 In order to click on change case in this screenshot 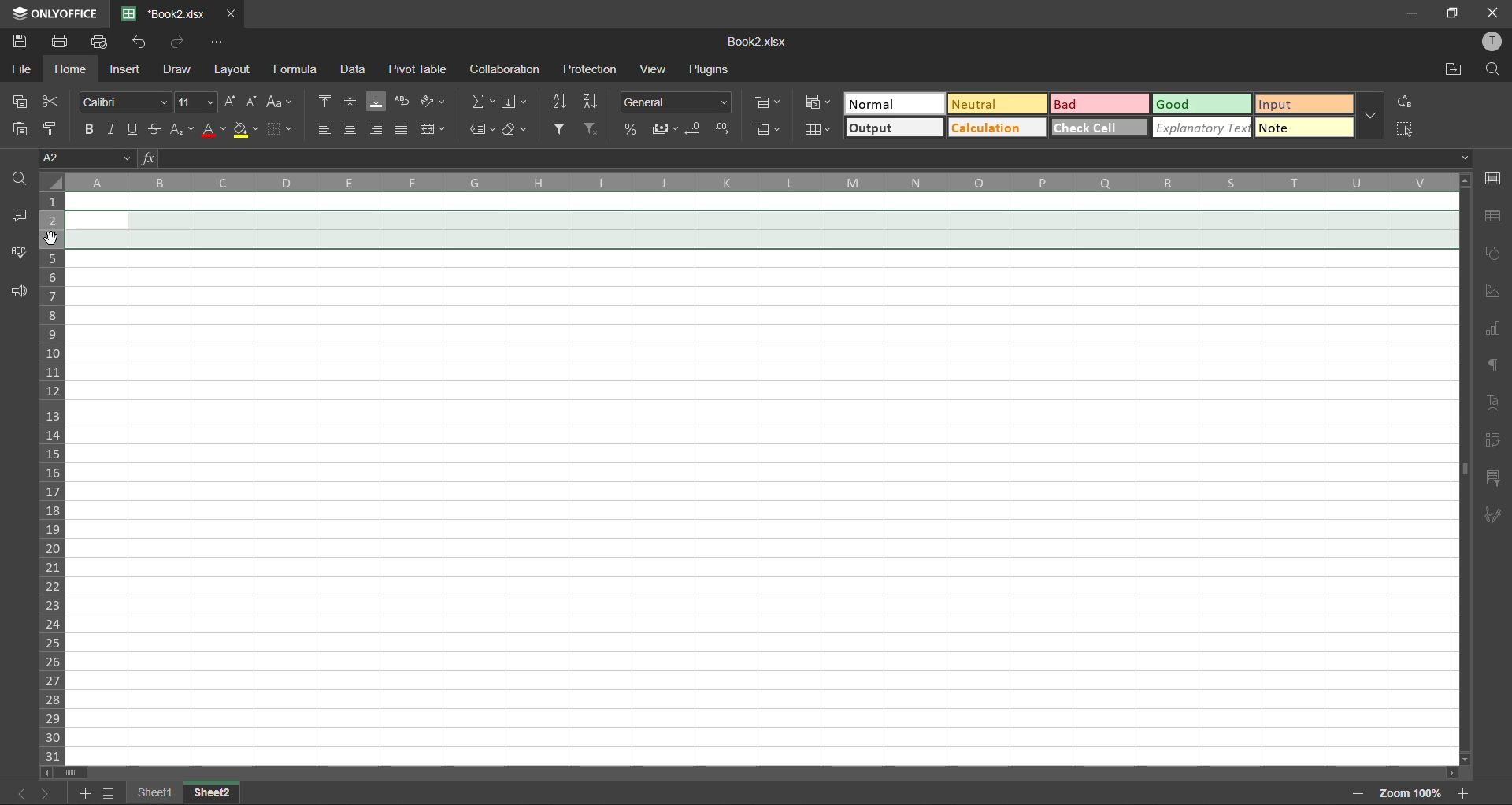, I will do `click(282, 104)`.